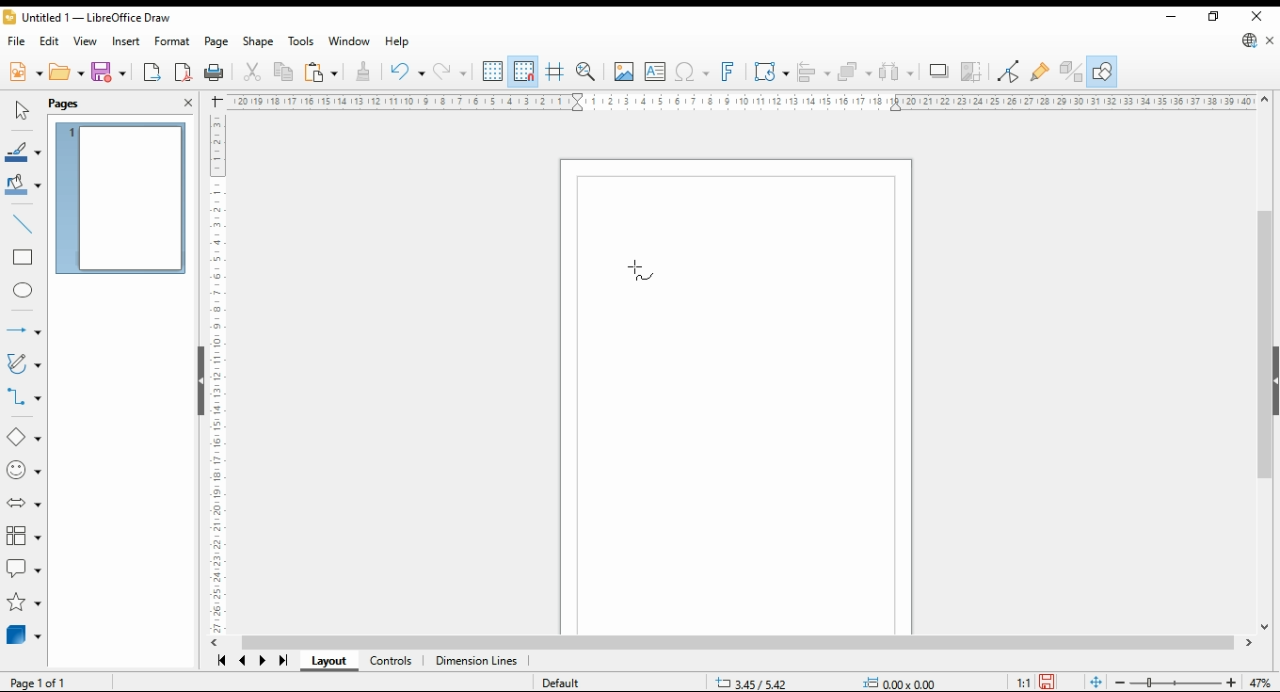 Image resolution: width=1280 pixels, height=692 pixels. Describe the element at coordinates (690, 73) in the screenshot. I see `insert special character` at that location.